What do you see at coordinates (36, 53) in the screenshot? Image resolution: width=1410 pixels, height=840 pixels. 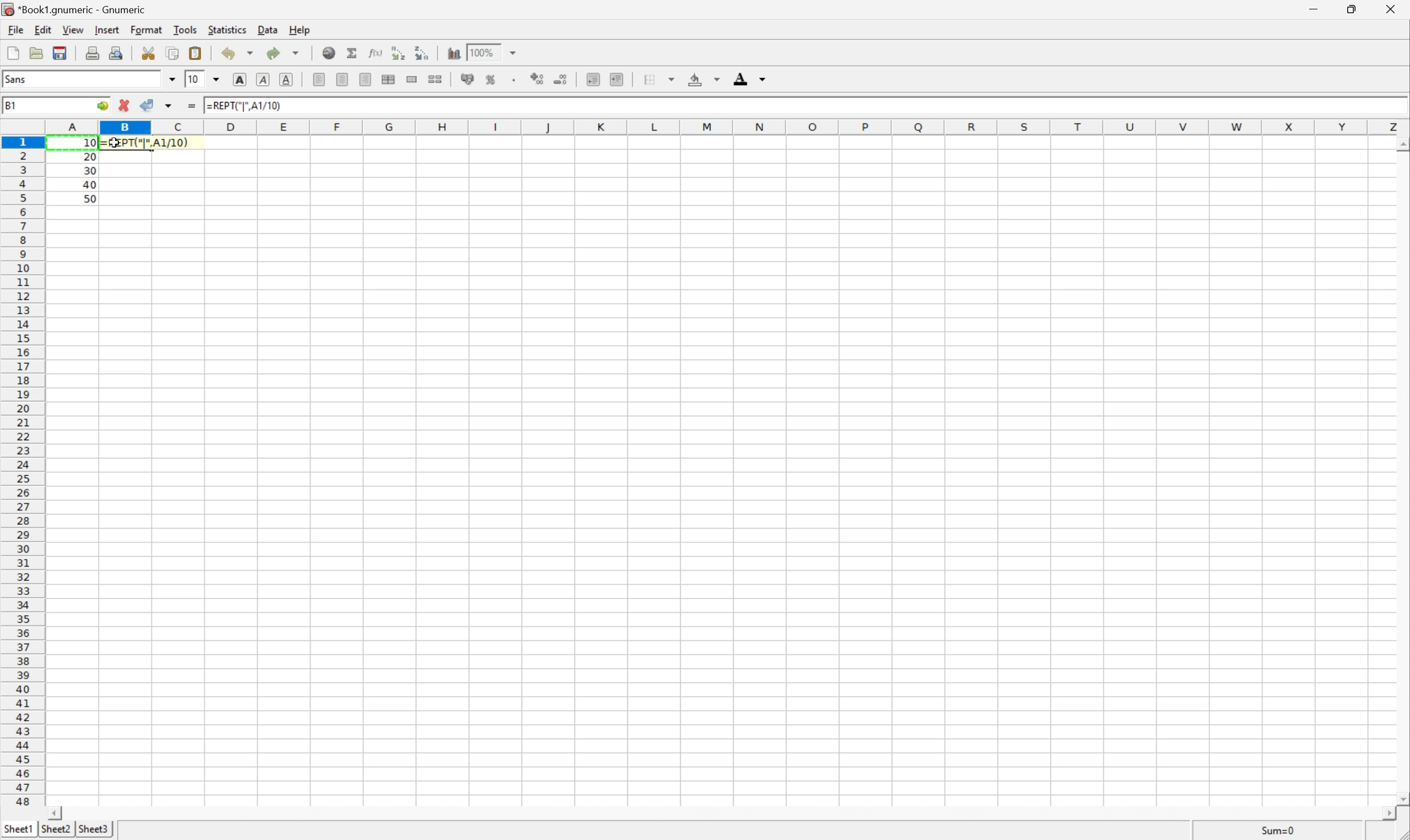 I see `Open a file` at bounding box center [36, 53].